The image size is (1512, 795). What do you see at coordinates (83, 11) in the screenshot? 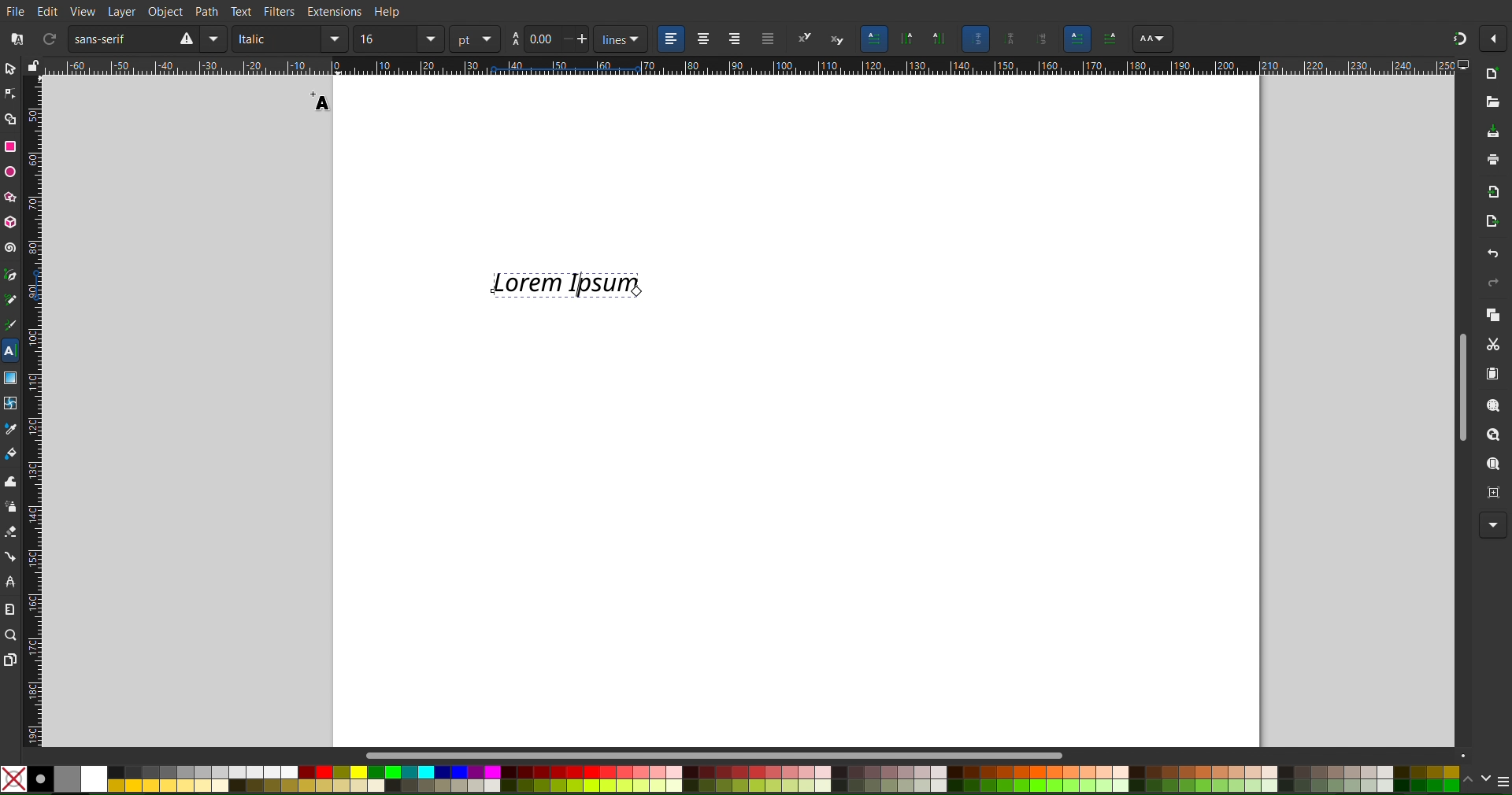
I see `View` at bounding box center [83, 11].